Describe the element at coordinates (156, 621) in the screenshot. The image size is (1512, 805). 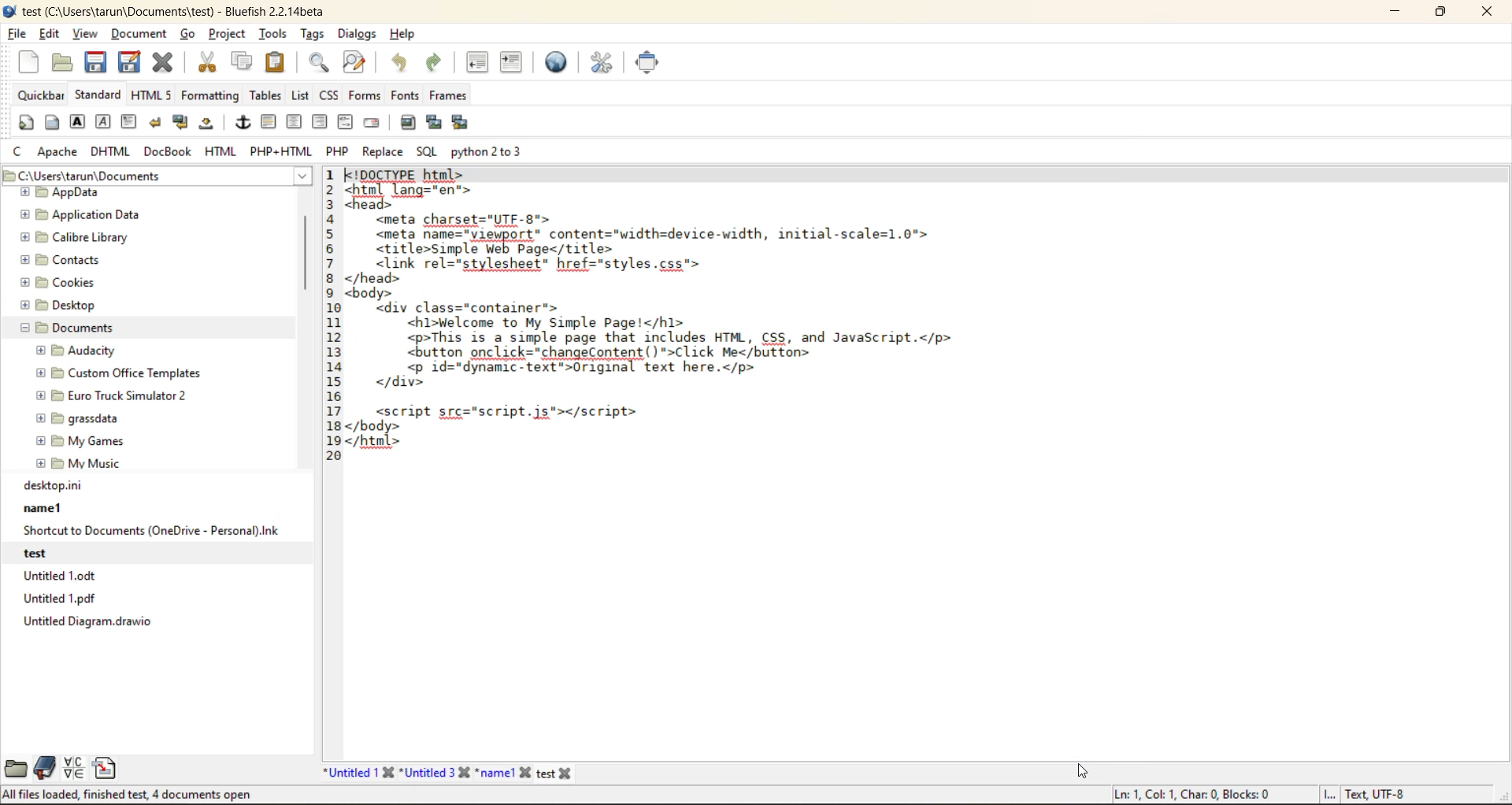
I see `untitle diagram.drawio` at that location.